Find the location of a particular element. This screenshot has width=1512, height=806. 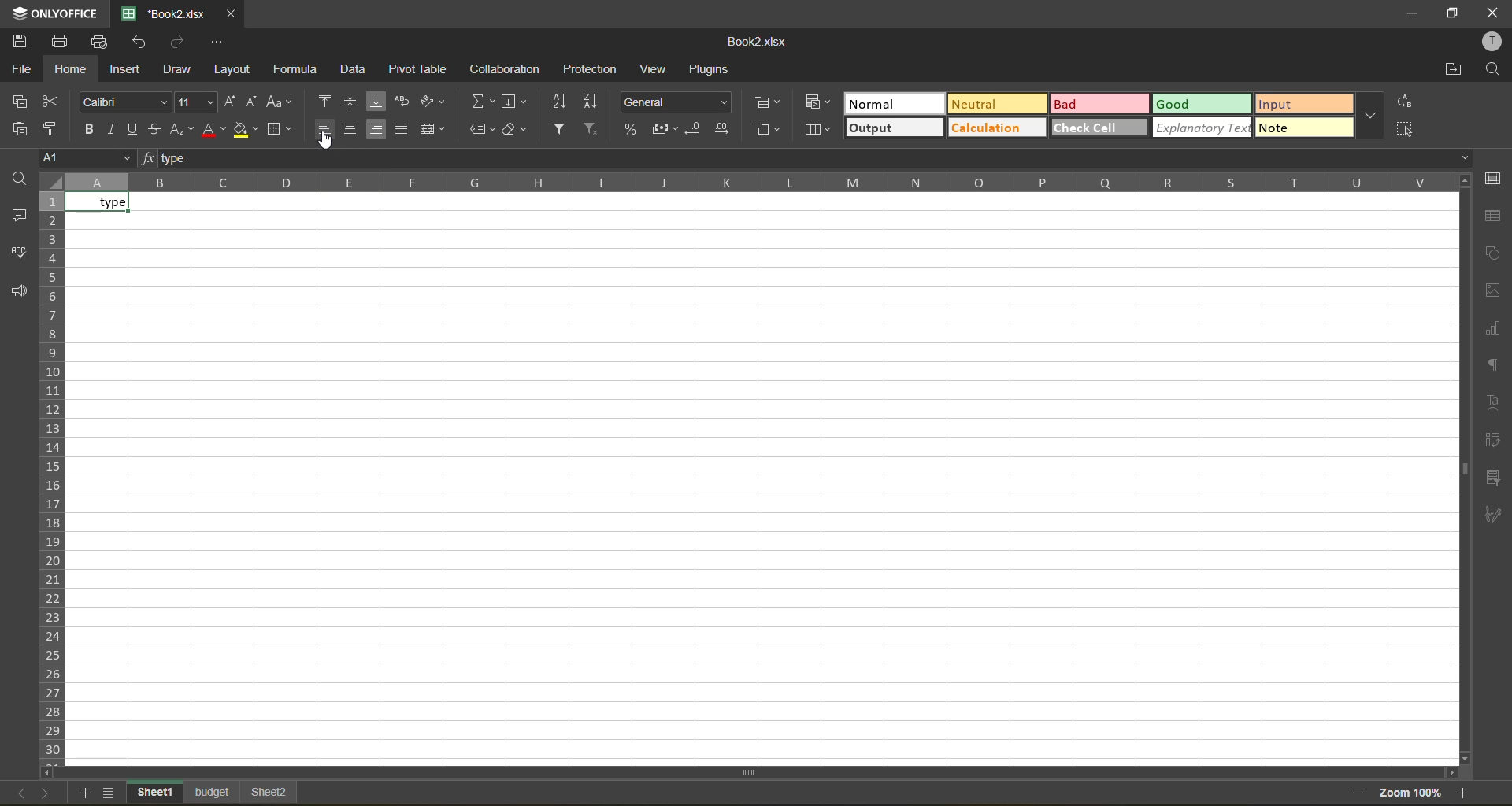

italic is located at coordinates (114, 128).